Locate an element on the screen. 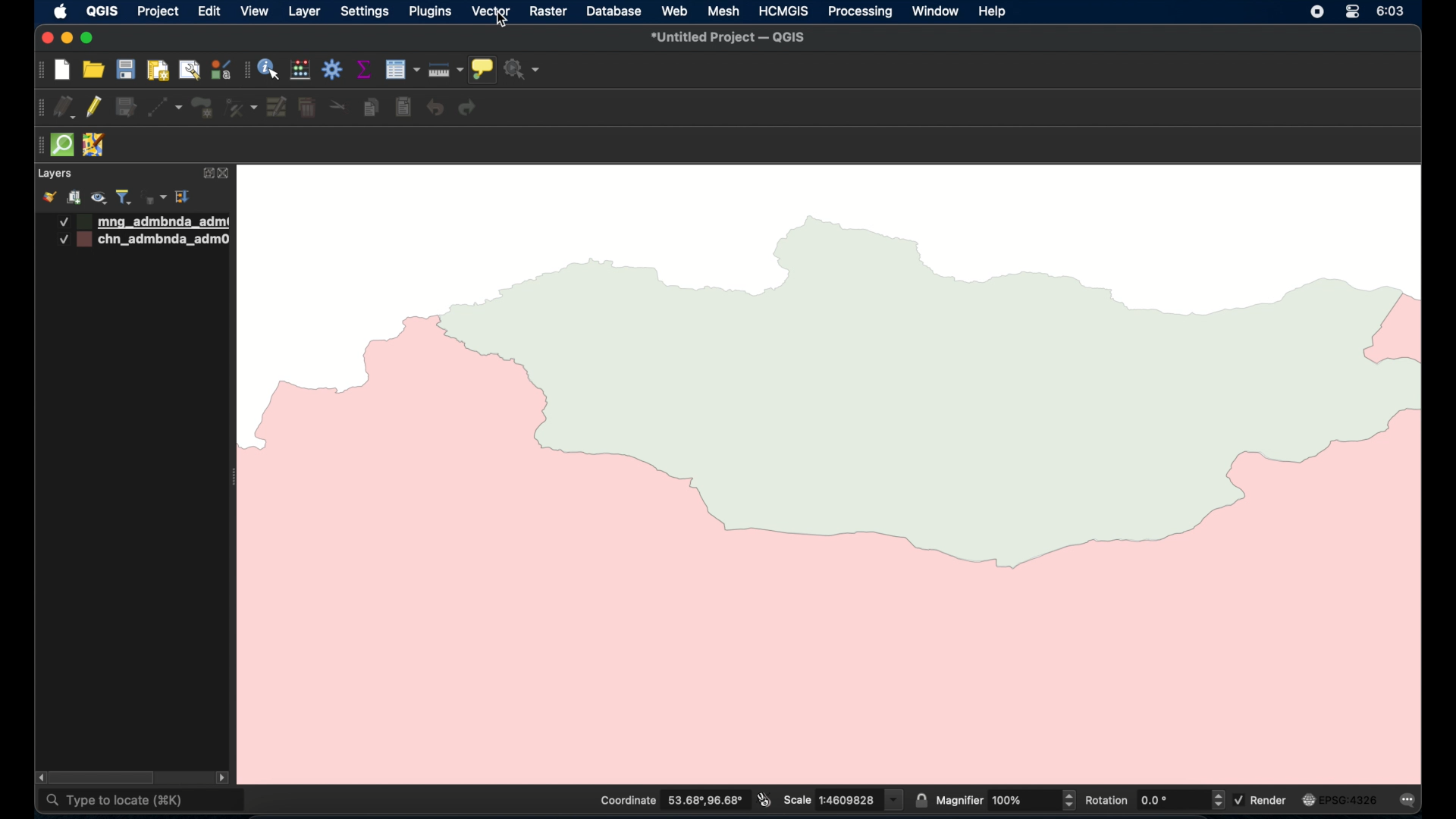  save project is located at coordinates (125, 69).